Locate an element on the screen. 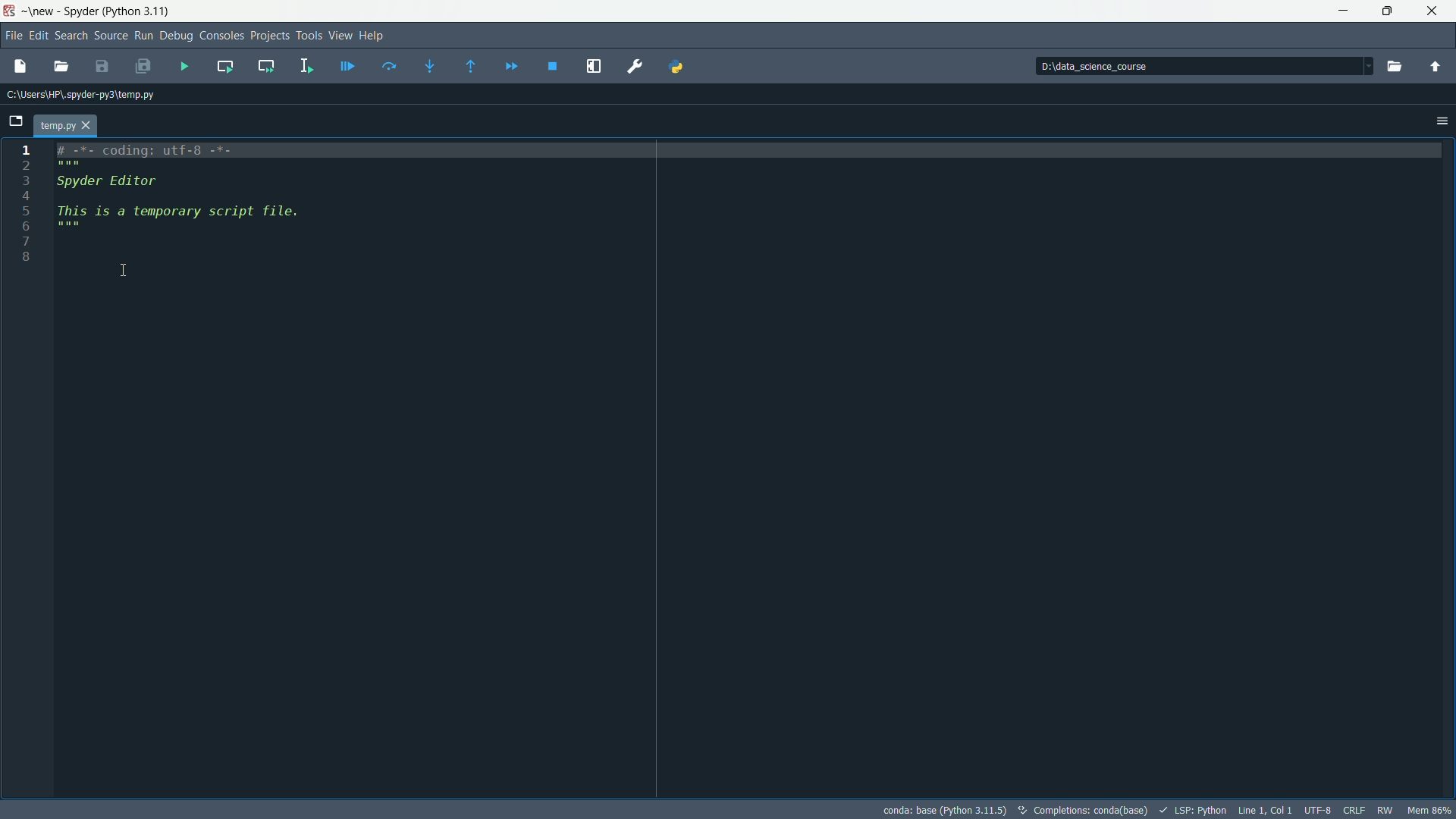  save all files is located at coordinates (141, 65).